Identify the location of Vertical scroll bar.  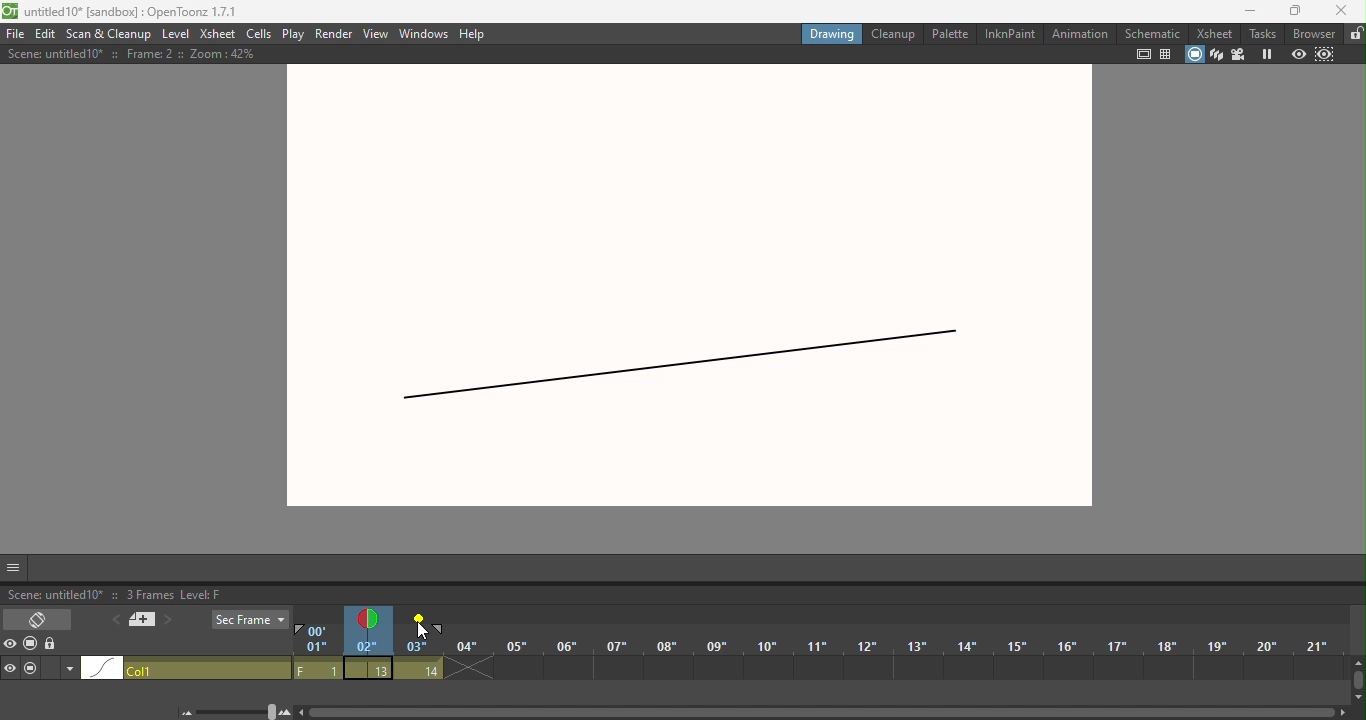
(1356, 682).